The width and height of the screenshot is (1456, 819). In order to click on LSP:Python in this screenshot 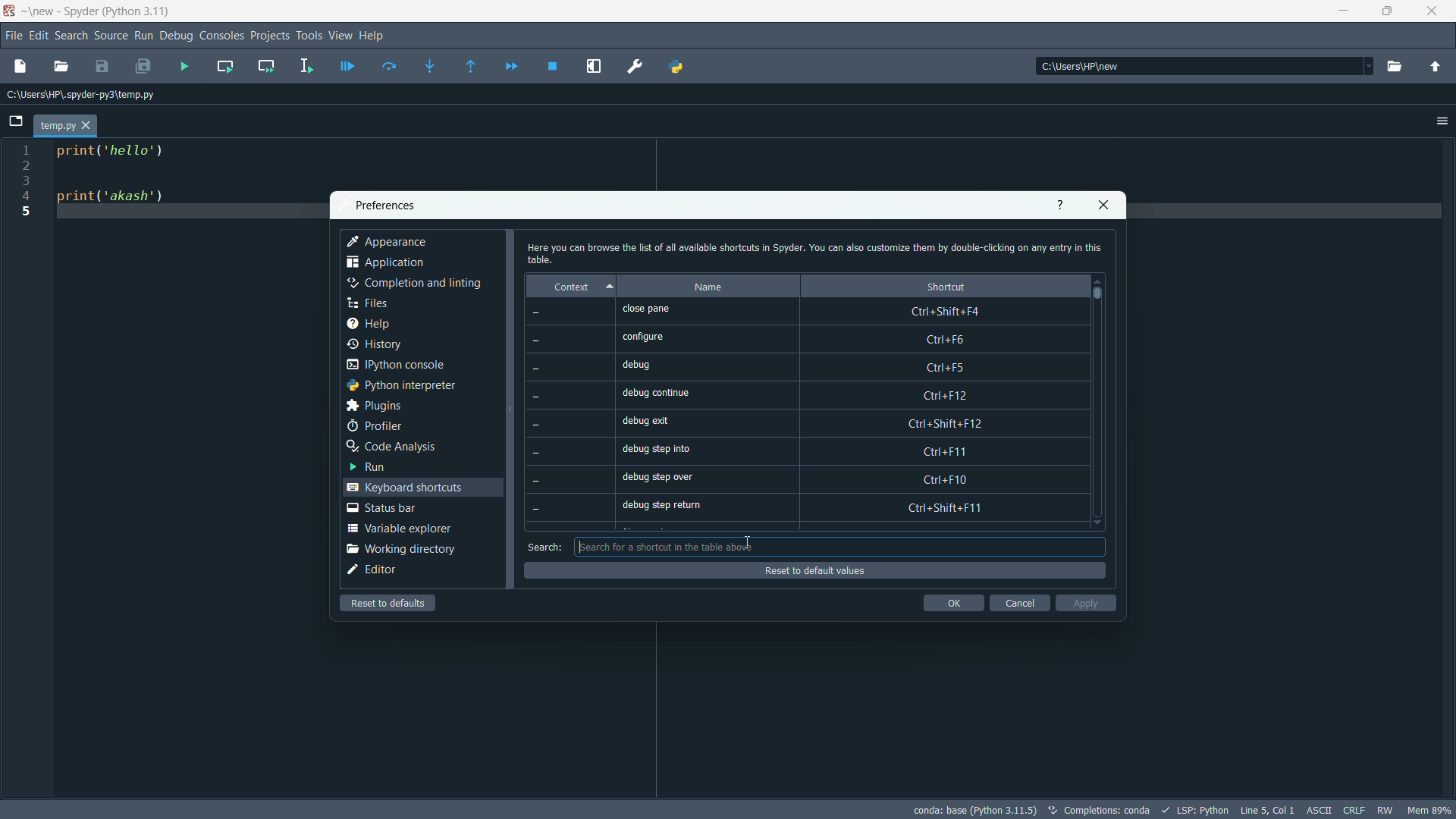, I will do `click(1194, 808)`.